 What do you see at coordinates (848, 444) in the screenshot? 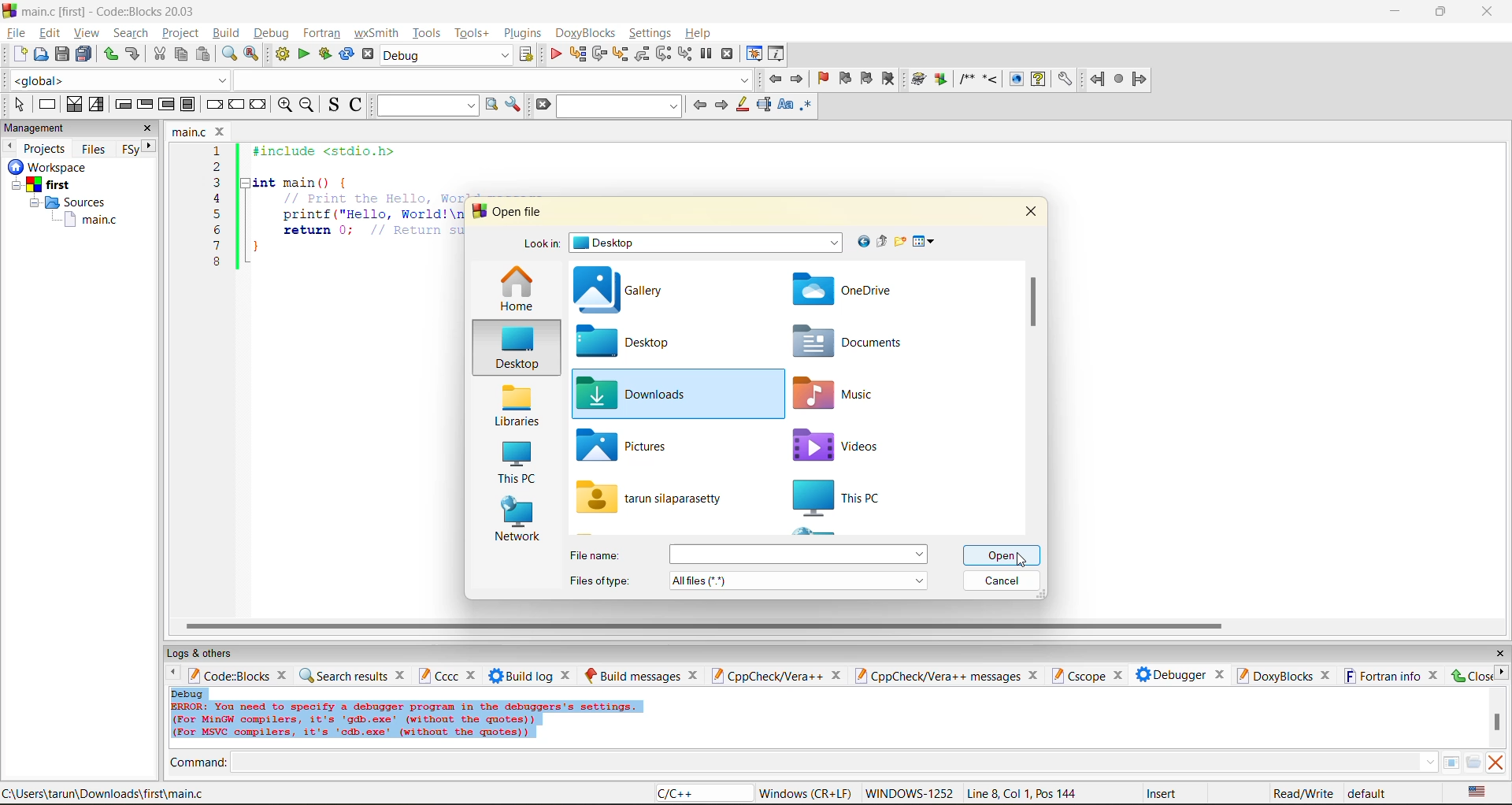
I see `videos` at bounding box center [848, 444].